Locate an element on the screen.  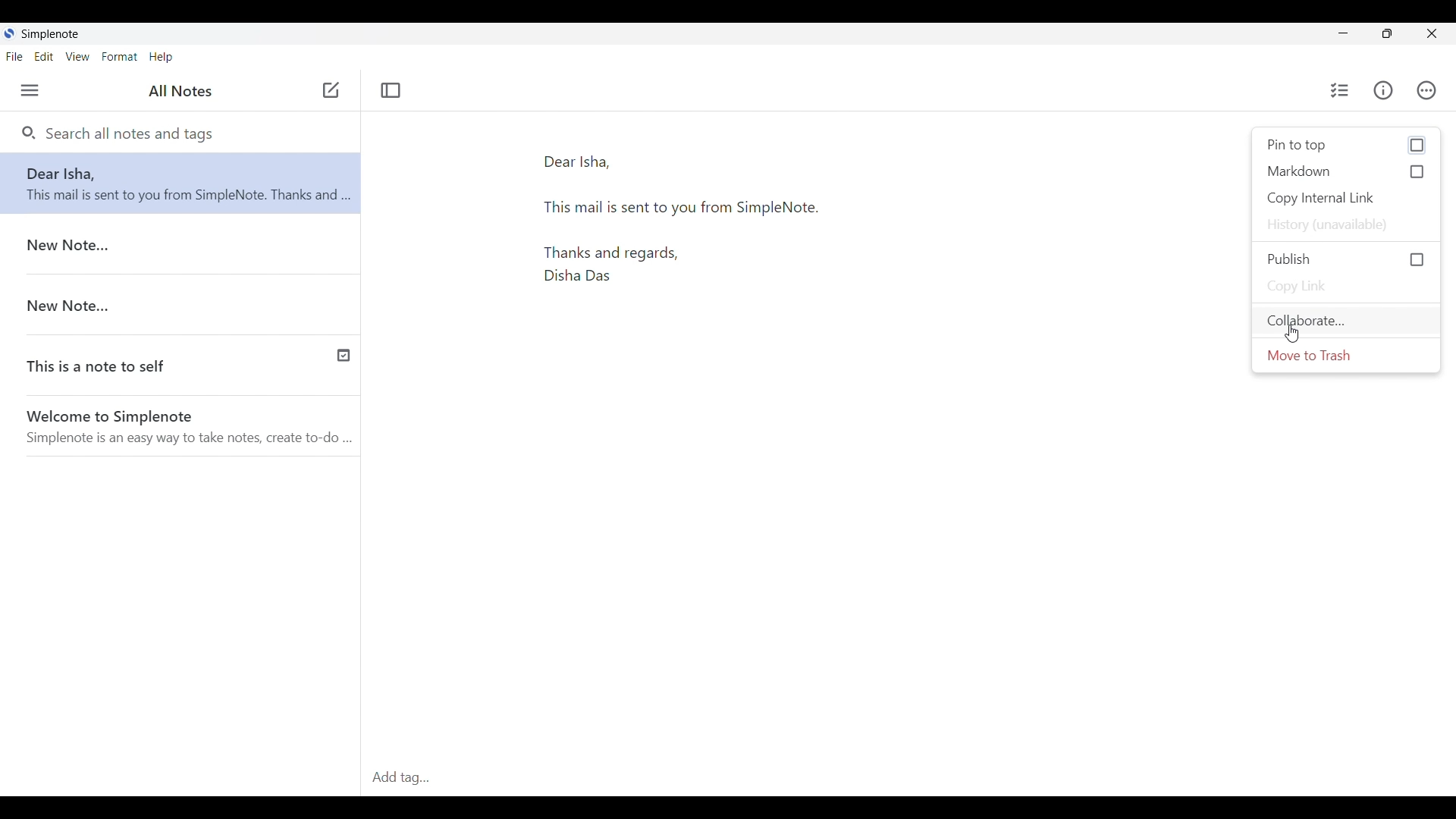
File is located at coordinates (14, 56).